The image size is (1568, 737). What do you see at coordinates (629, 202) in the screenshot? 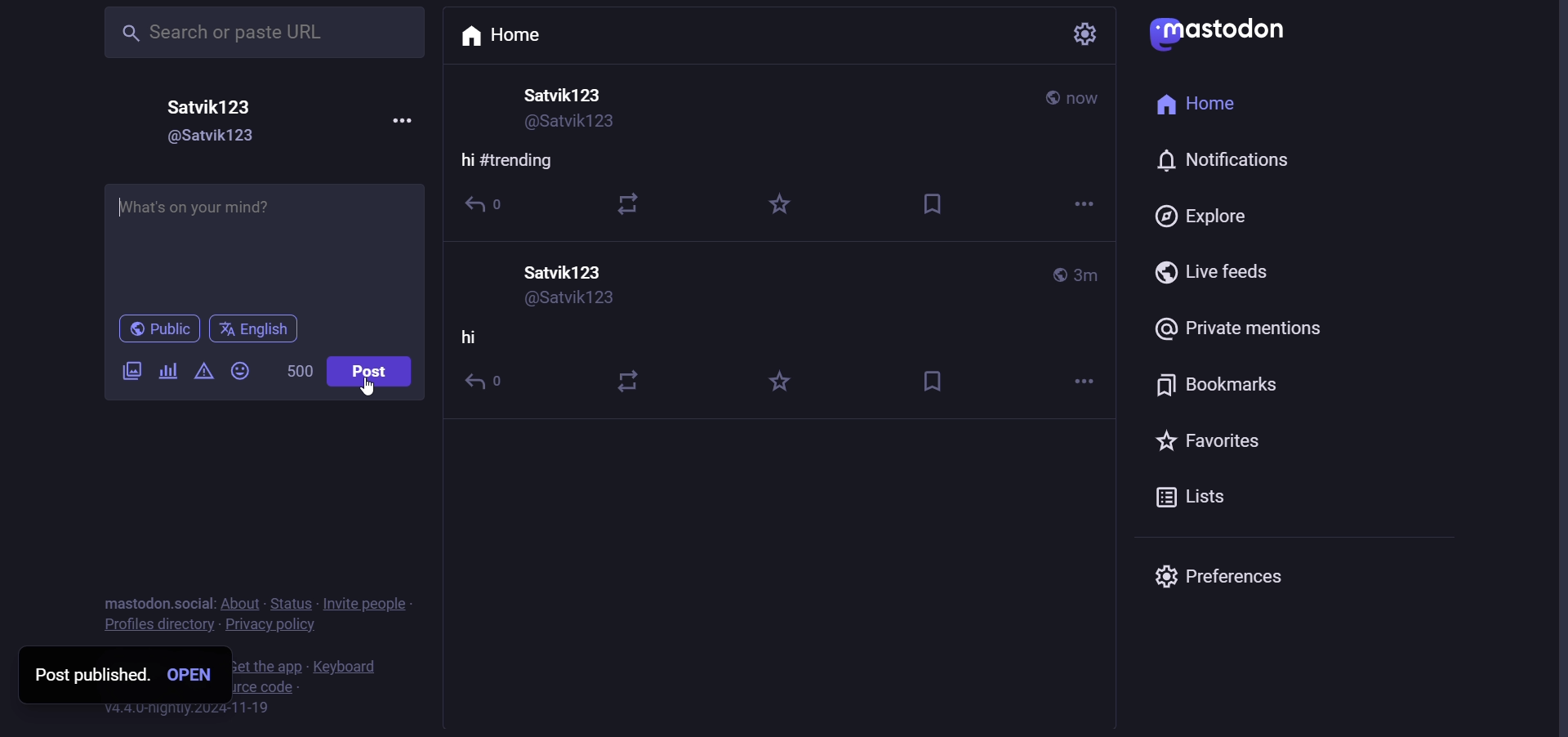
I see `boost` at bounding box center [629, 202].